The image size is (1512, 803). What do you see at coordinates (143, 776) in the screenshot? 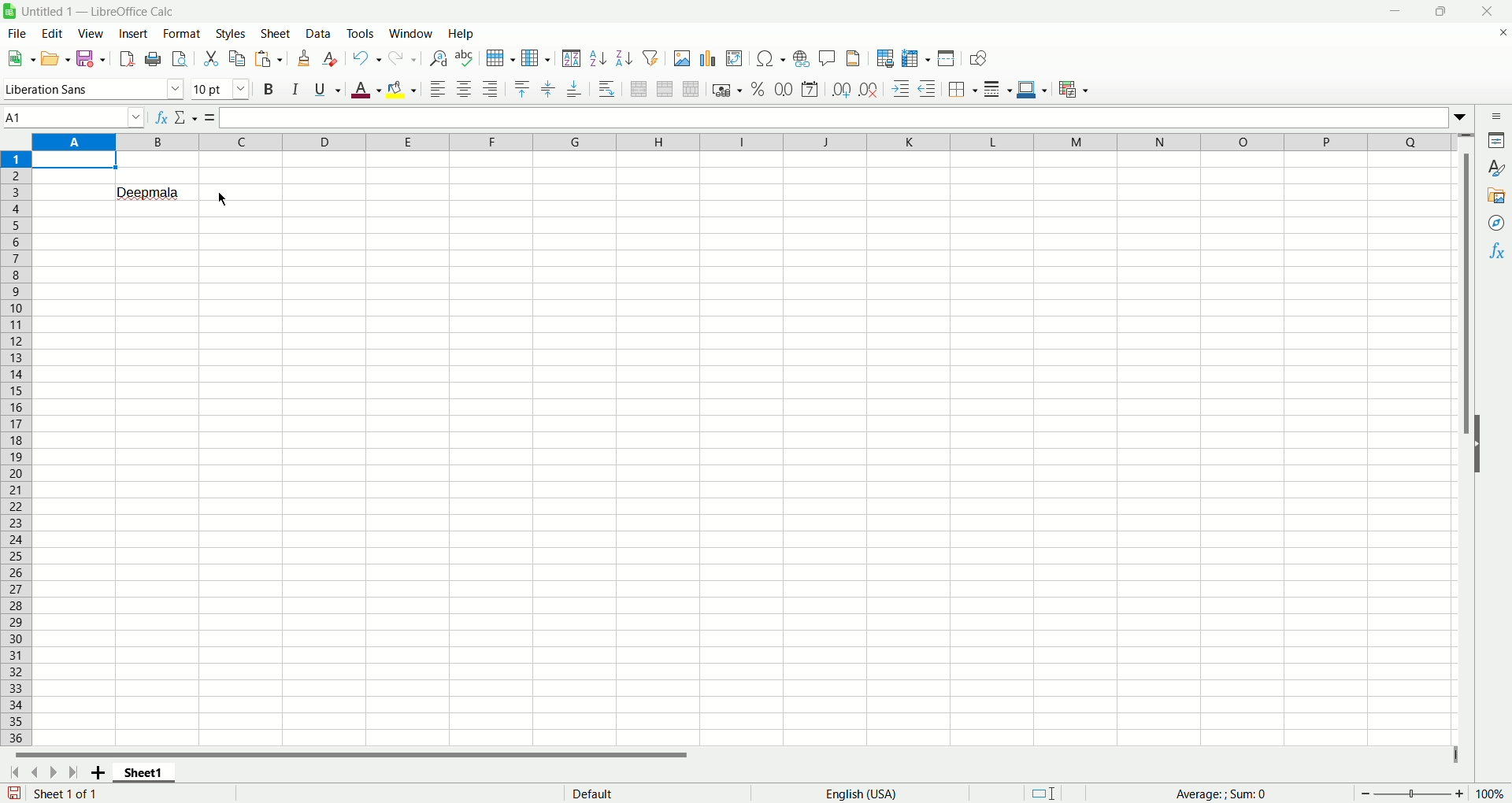
I see `sheet name` at bounding box center [143, 776].